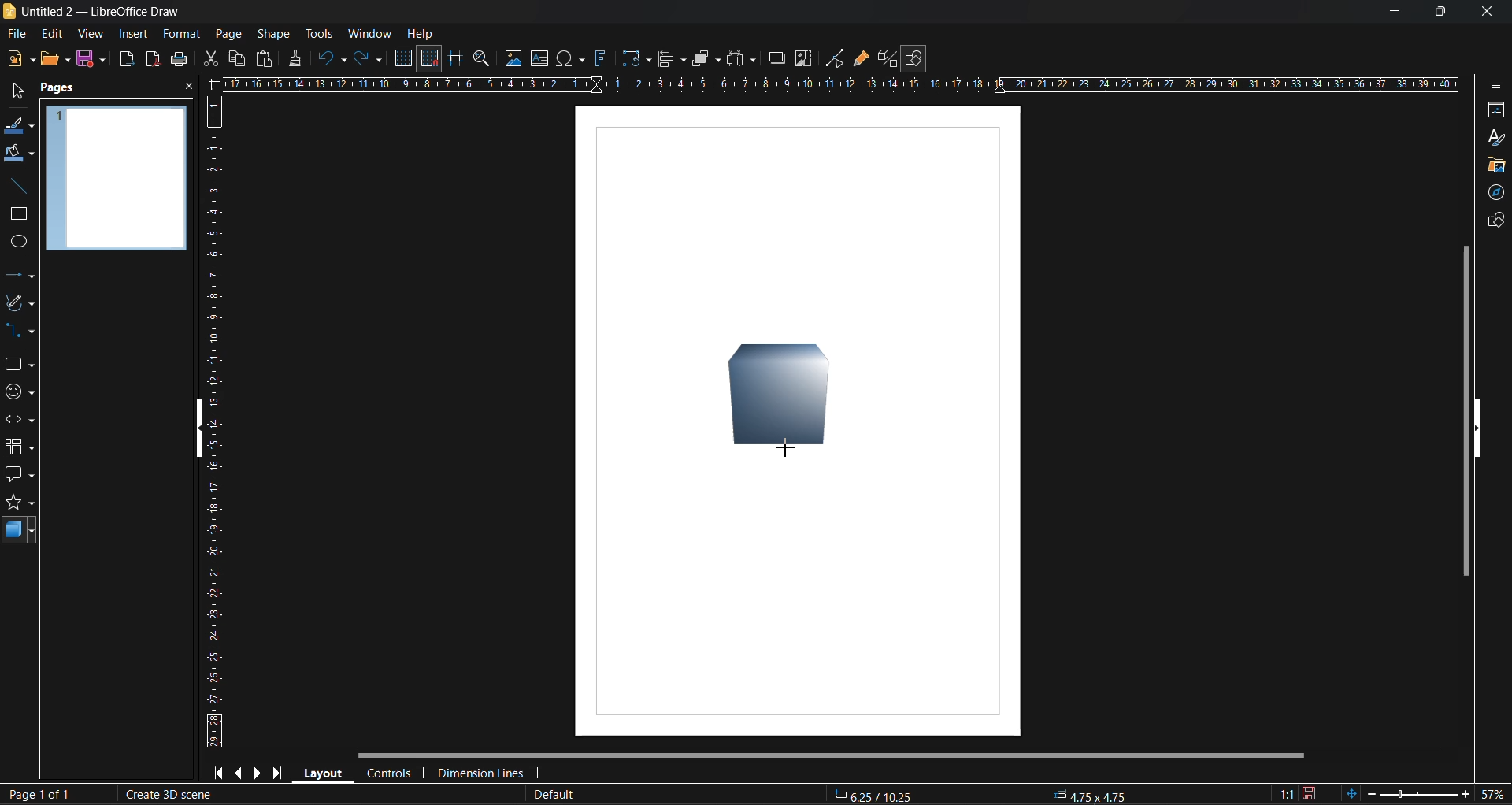  Describe the element at coordinates (39, 796) in the screenshot. I see `page number` at that location.